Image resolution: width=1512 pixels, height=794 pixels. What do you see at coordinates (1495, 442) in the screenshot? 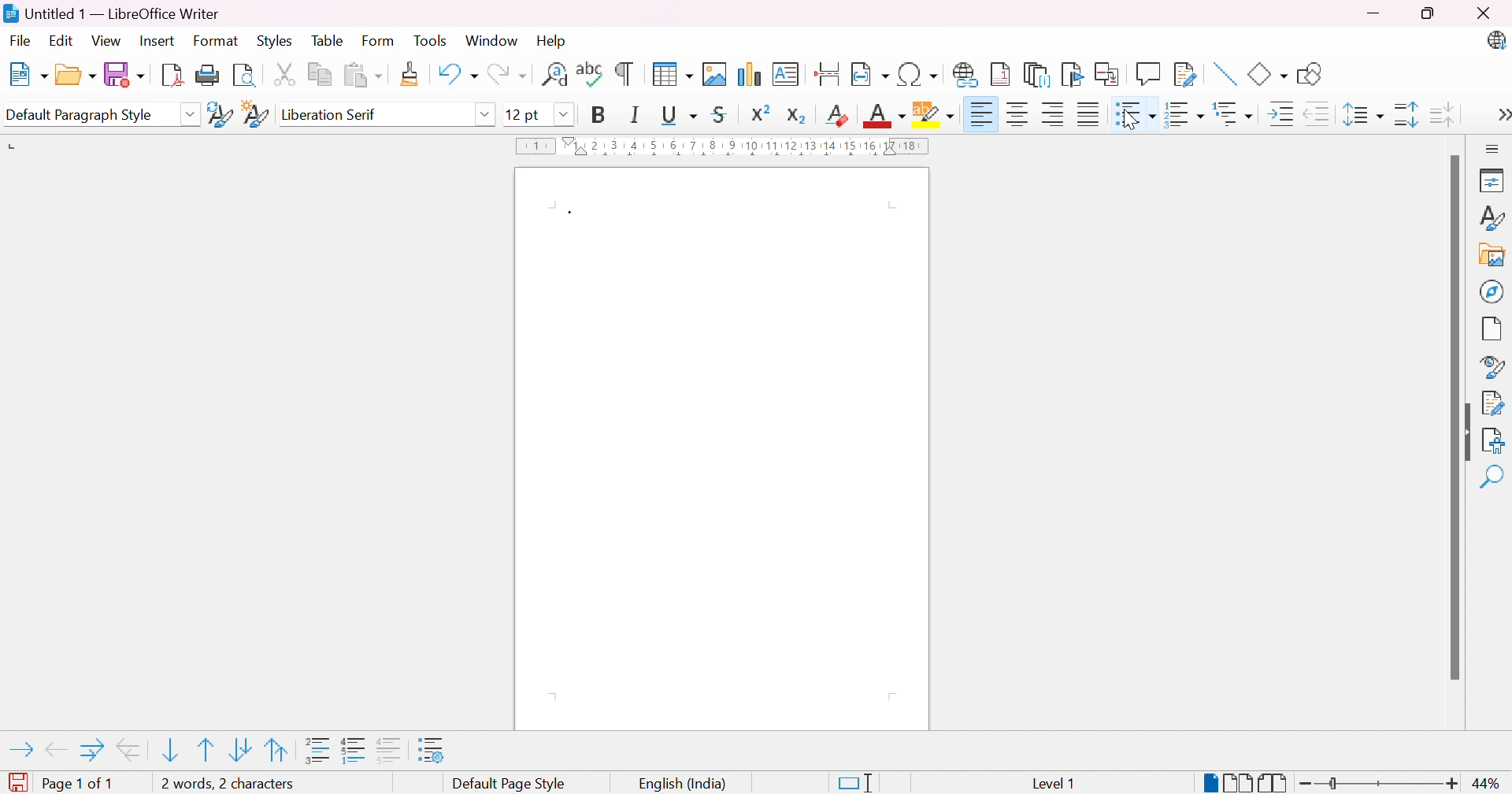
I see `Accessibility check` at bounding box center [1495, 442].